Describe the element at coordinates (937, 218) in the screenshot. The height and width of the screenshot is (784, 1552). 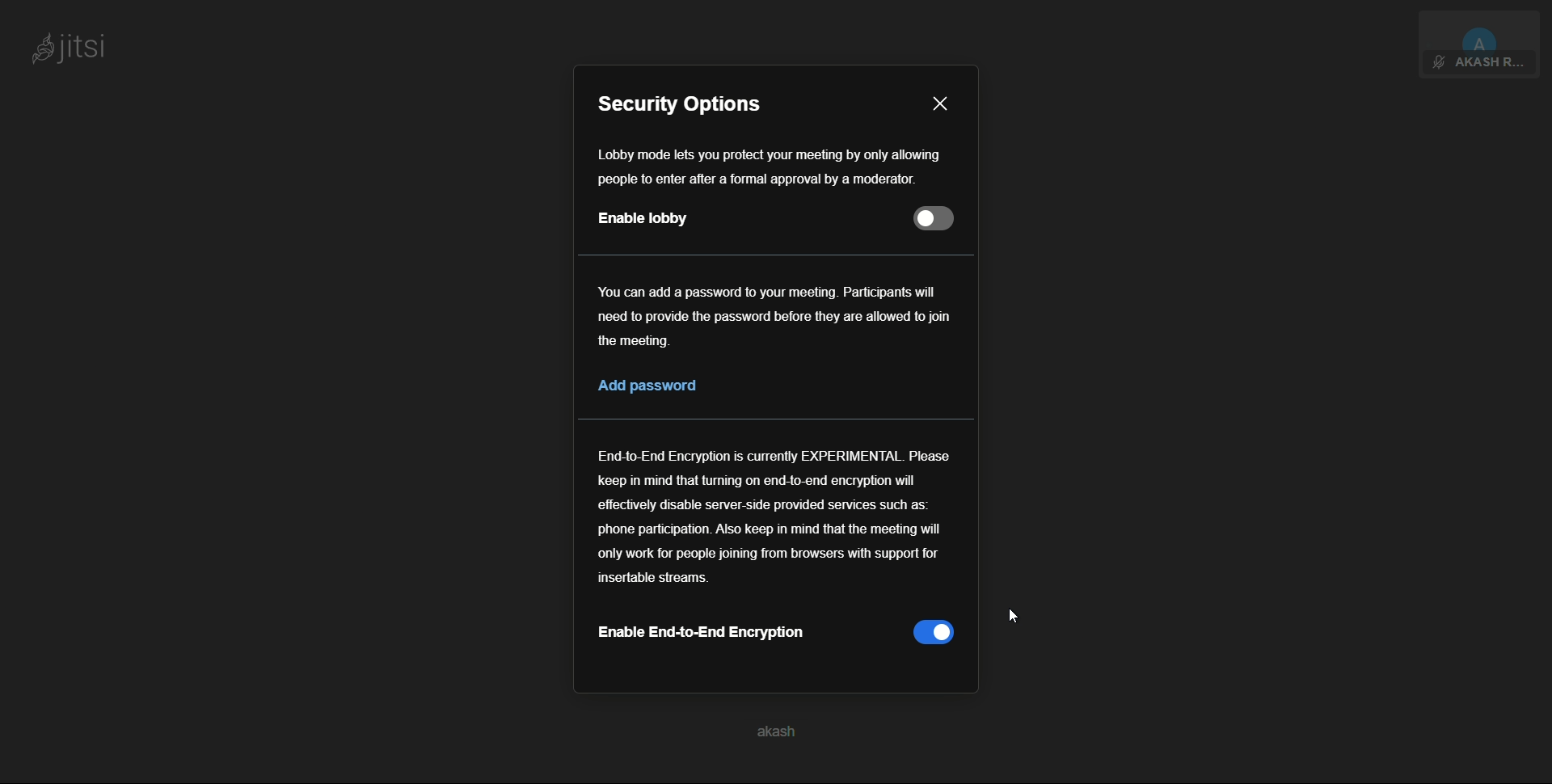
I see `toggle switch` at that location.